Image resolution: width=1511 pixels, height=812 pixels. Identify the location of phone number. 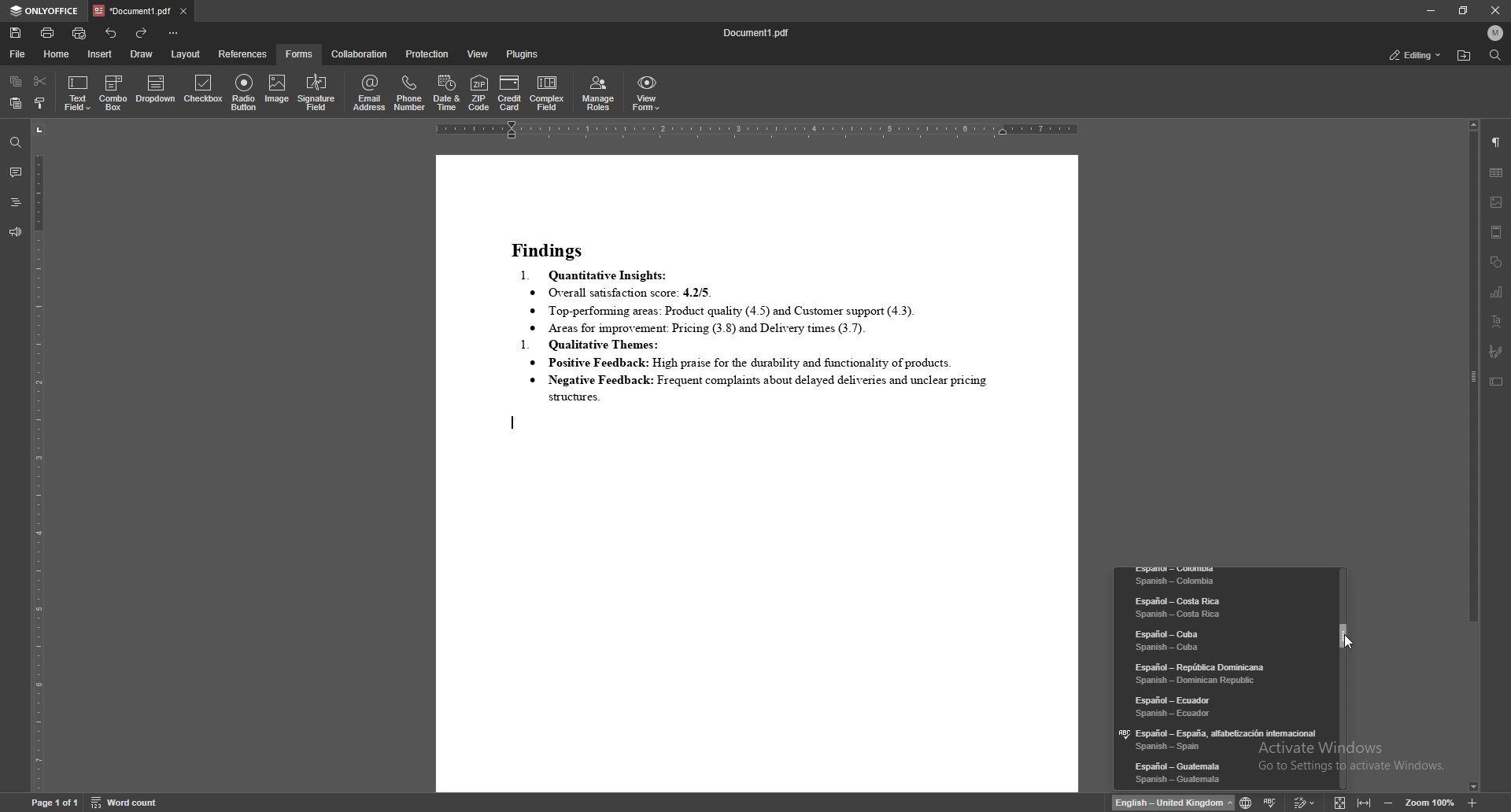
(412, 92).